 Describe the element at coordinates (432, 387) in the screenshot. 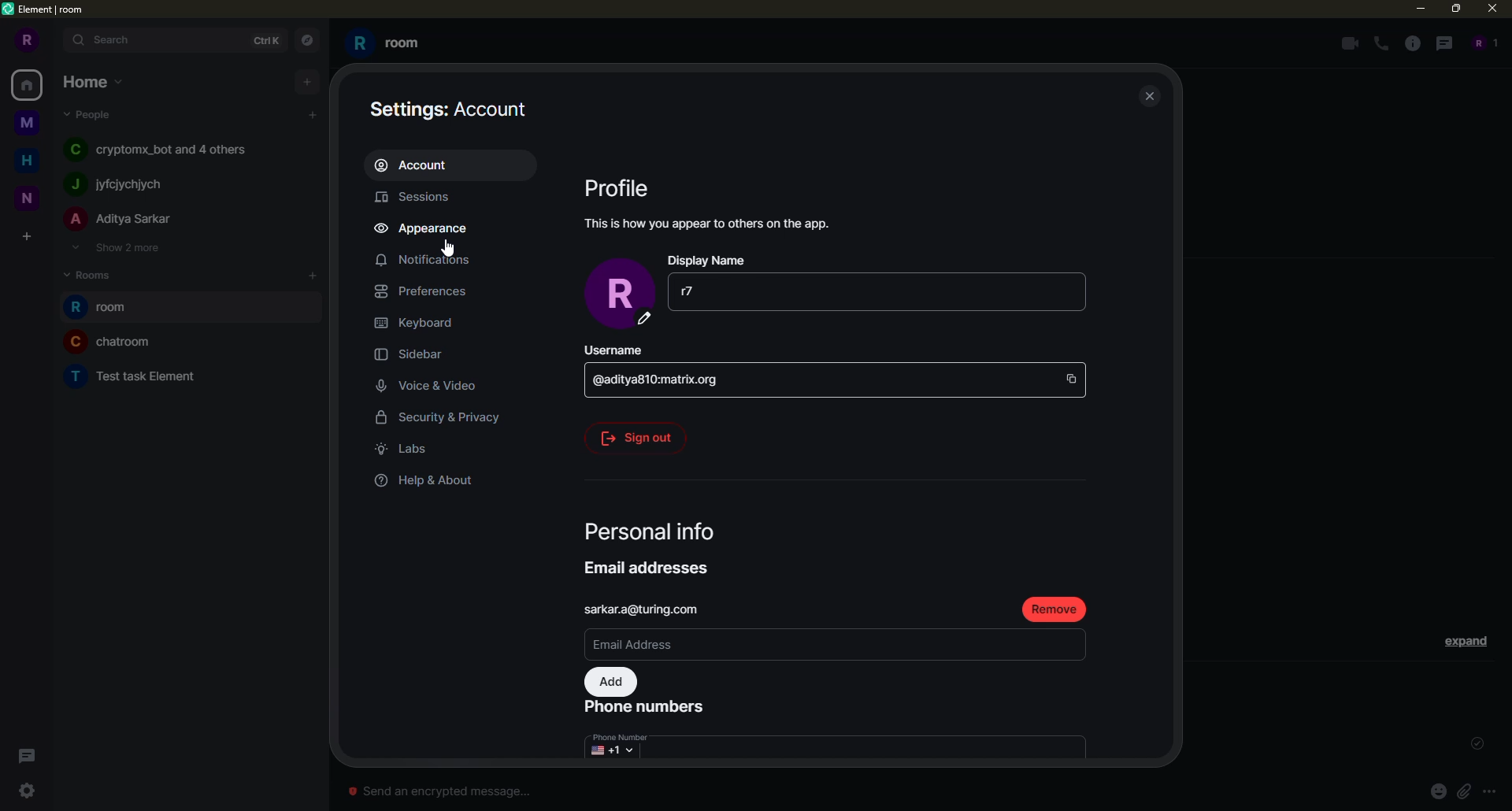

I see `voice & video` at that location.